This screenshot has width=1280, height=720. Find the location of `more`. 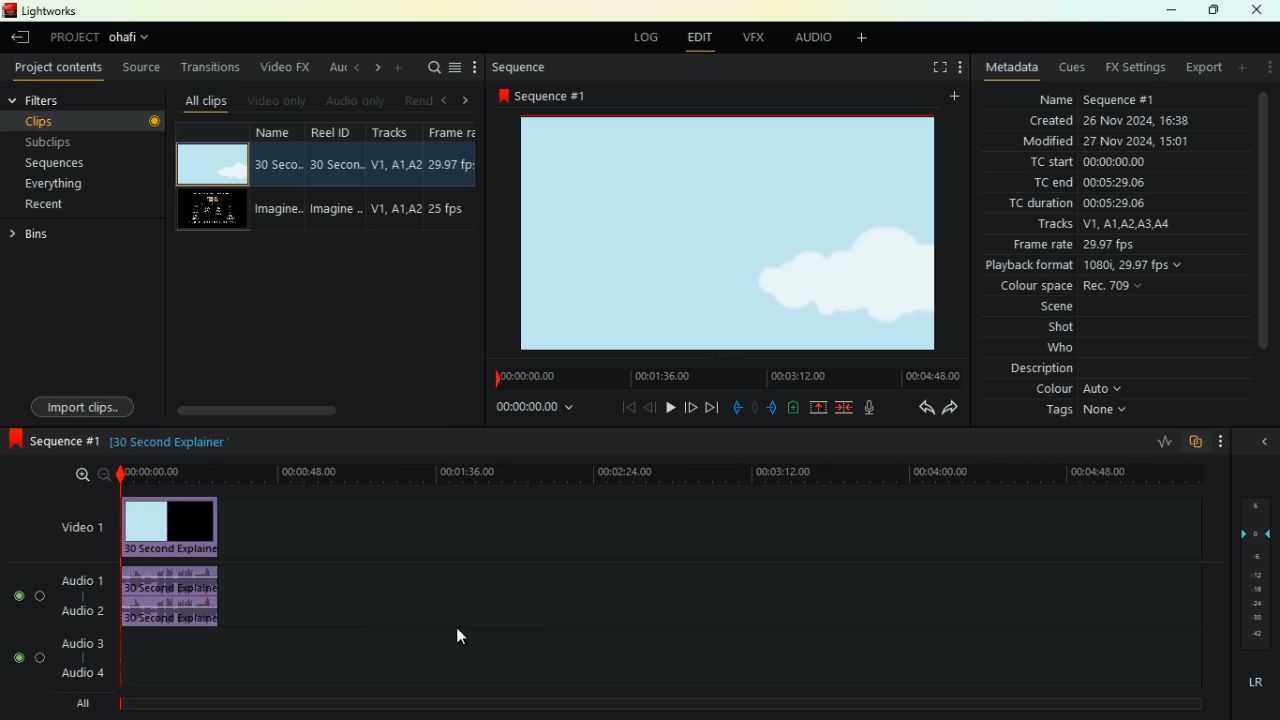

more is located at coordinates (474, 67).